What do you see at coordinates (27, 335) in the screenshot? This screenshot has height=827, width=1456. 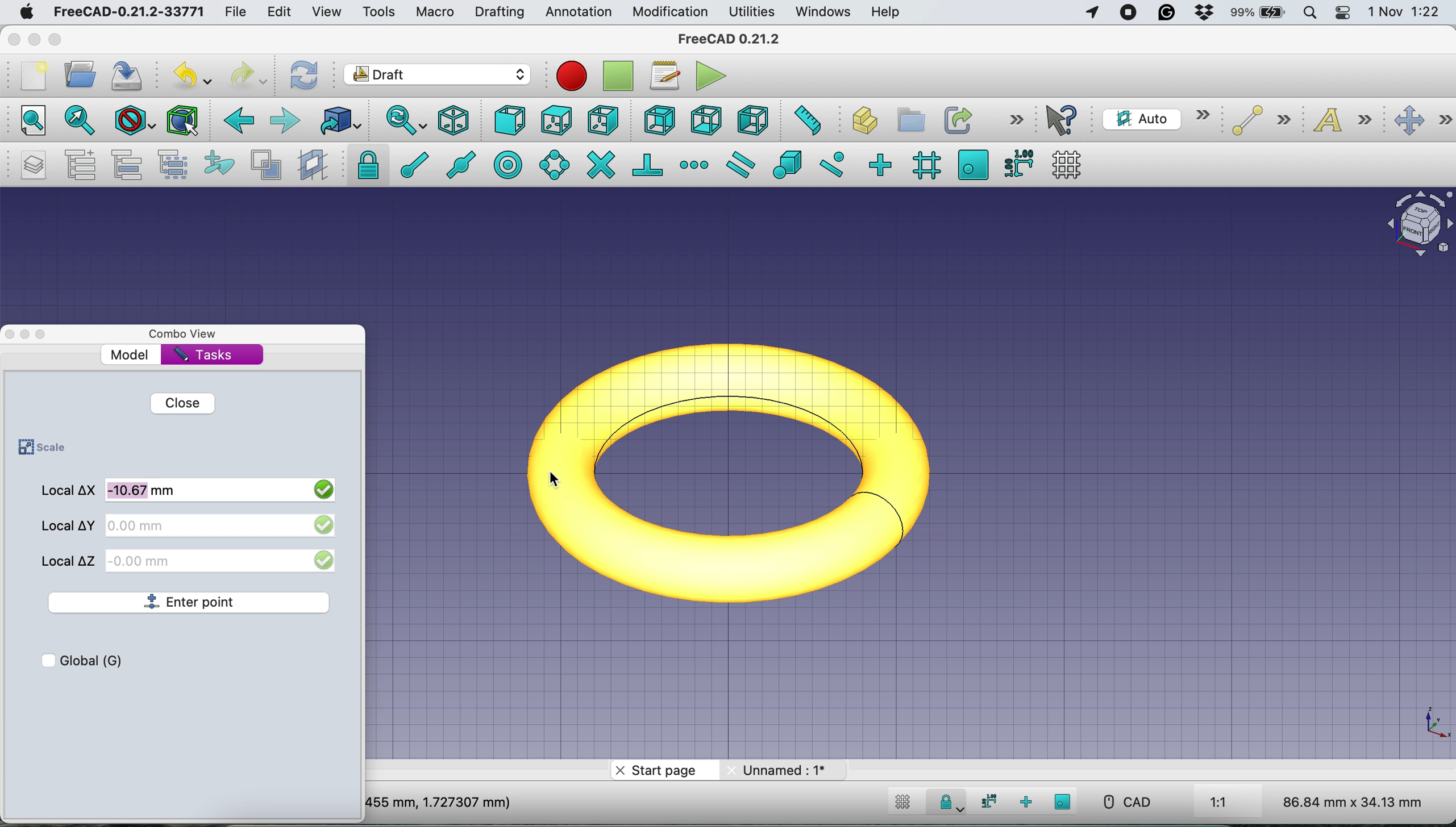 I see `Toggle Floating Window` at bounding box center [27, 335].